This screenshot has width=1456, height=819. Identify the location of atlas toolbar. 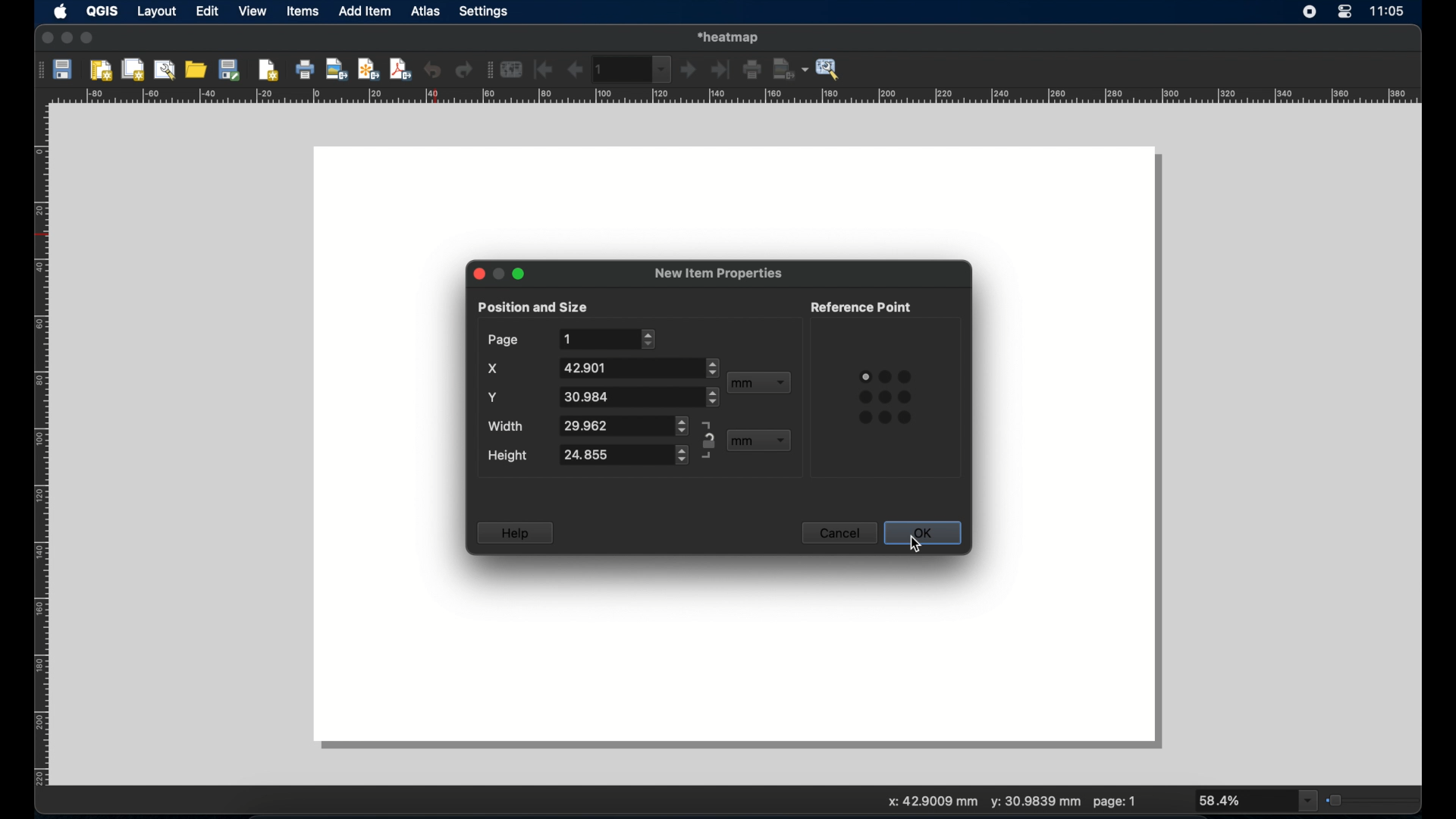
(488, 71).